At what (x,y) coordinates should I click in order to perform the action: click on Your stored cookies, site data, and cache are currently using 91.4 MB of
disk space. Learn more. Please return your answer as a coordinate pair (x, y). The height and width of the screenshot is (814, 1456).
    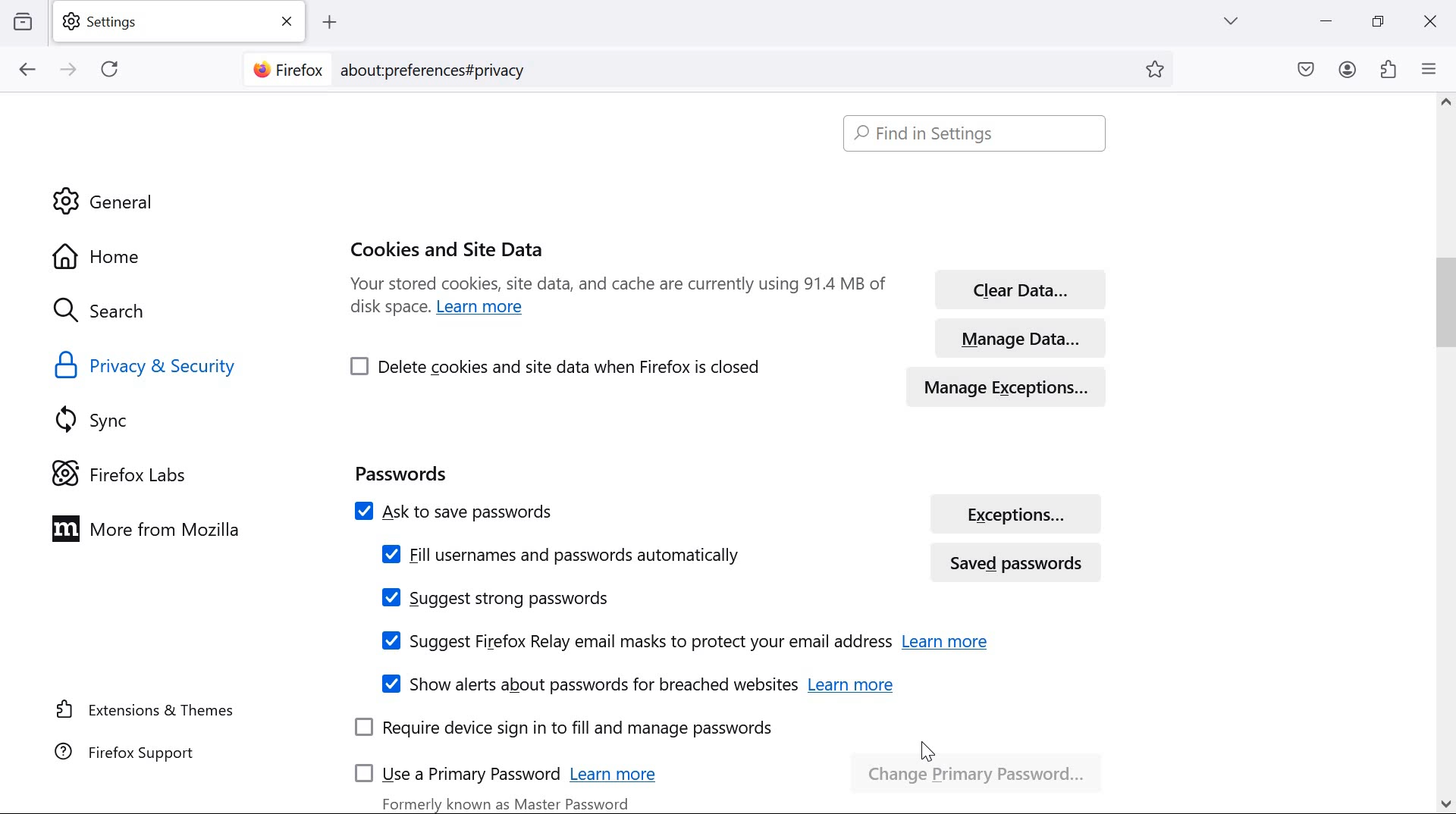
    Looking at the image, I should click on (618, 301).